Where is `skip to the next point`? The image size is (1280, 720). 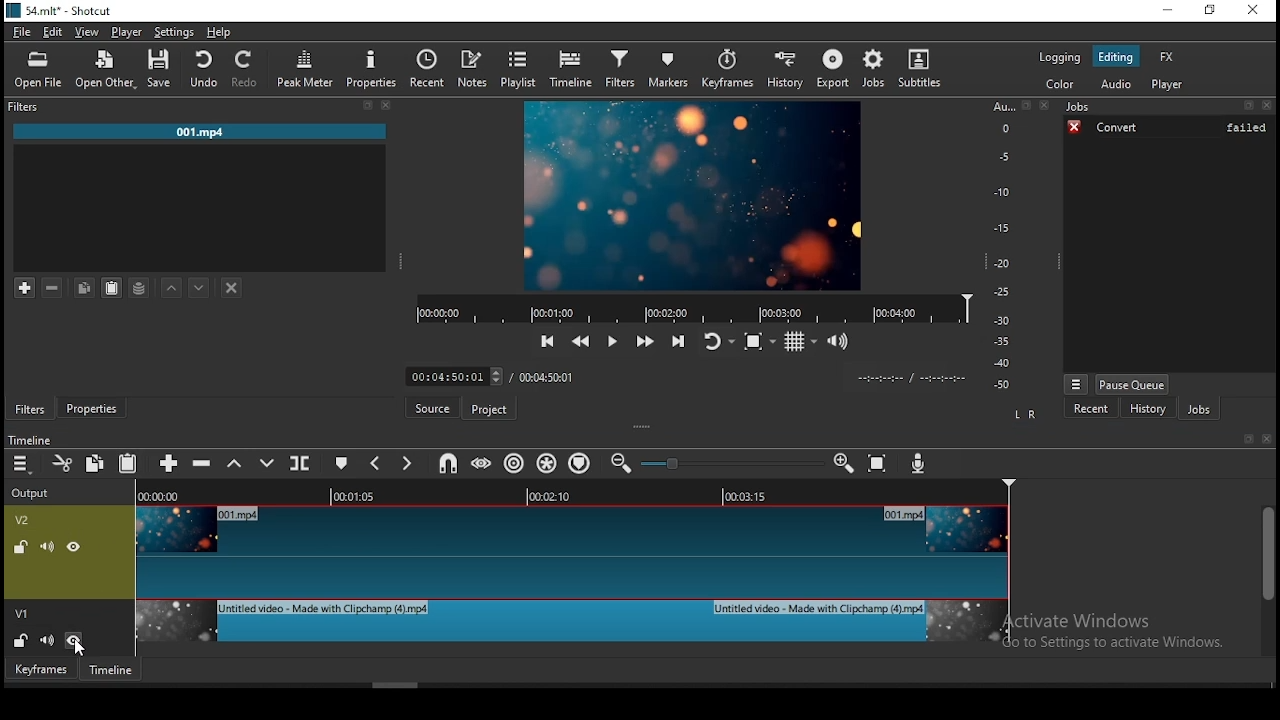
skip to the next point is located at coordinates (679, 342).